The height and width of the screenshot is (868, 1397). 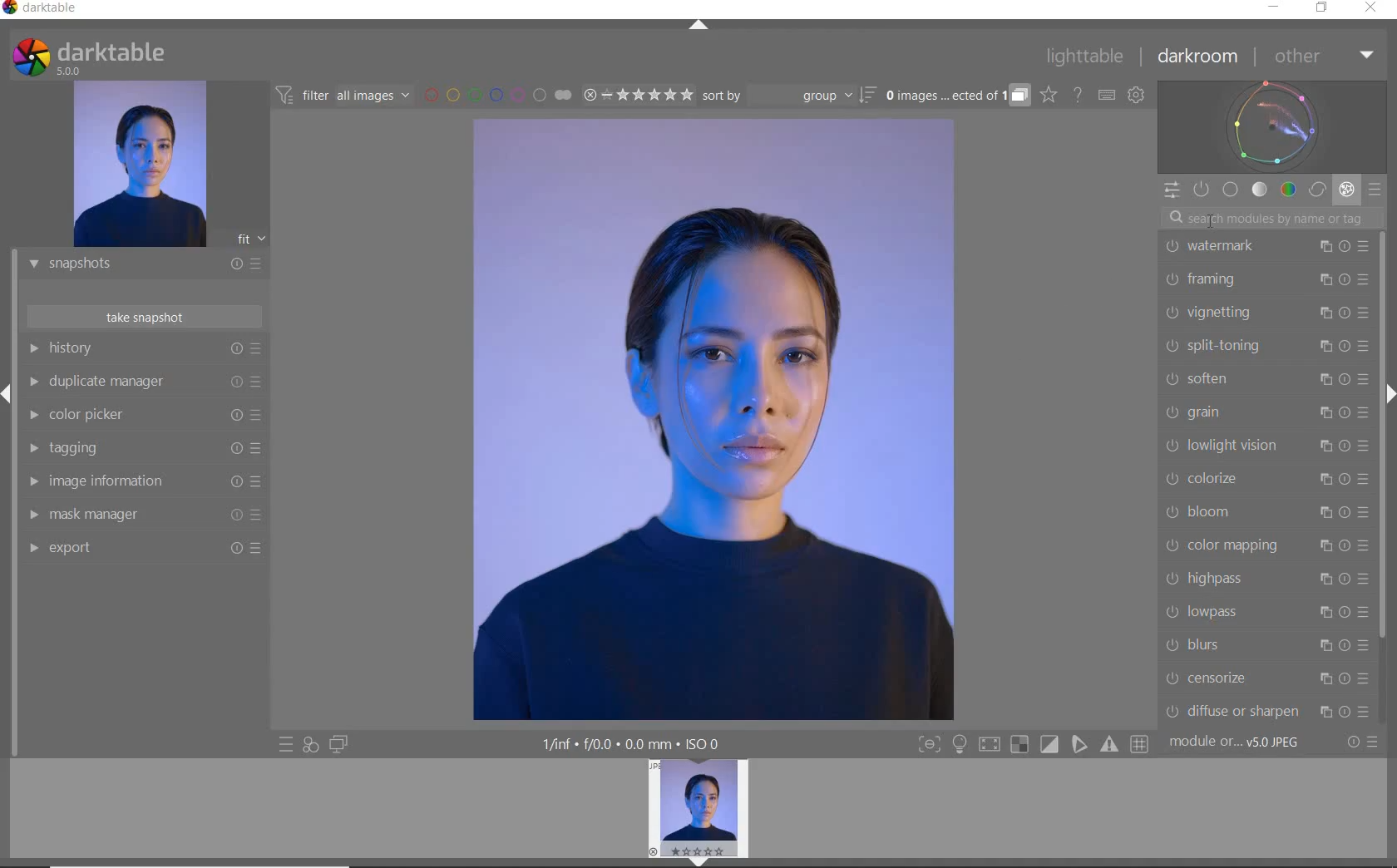 I want to click on COLOR, so click(x=1289, y=189).